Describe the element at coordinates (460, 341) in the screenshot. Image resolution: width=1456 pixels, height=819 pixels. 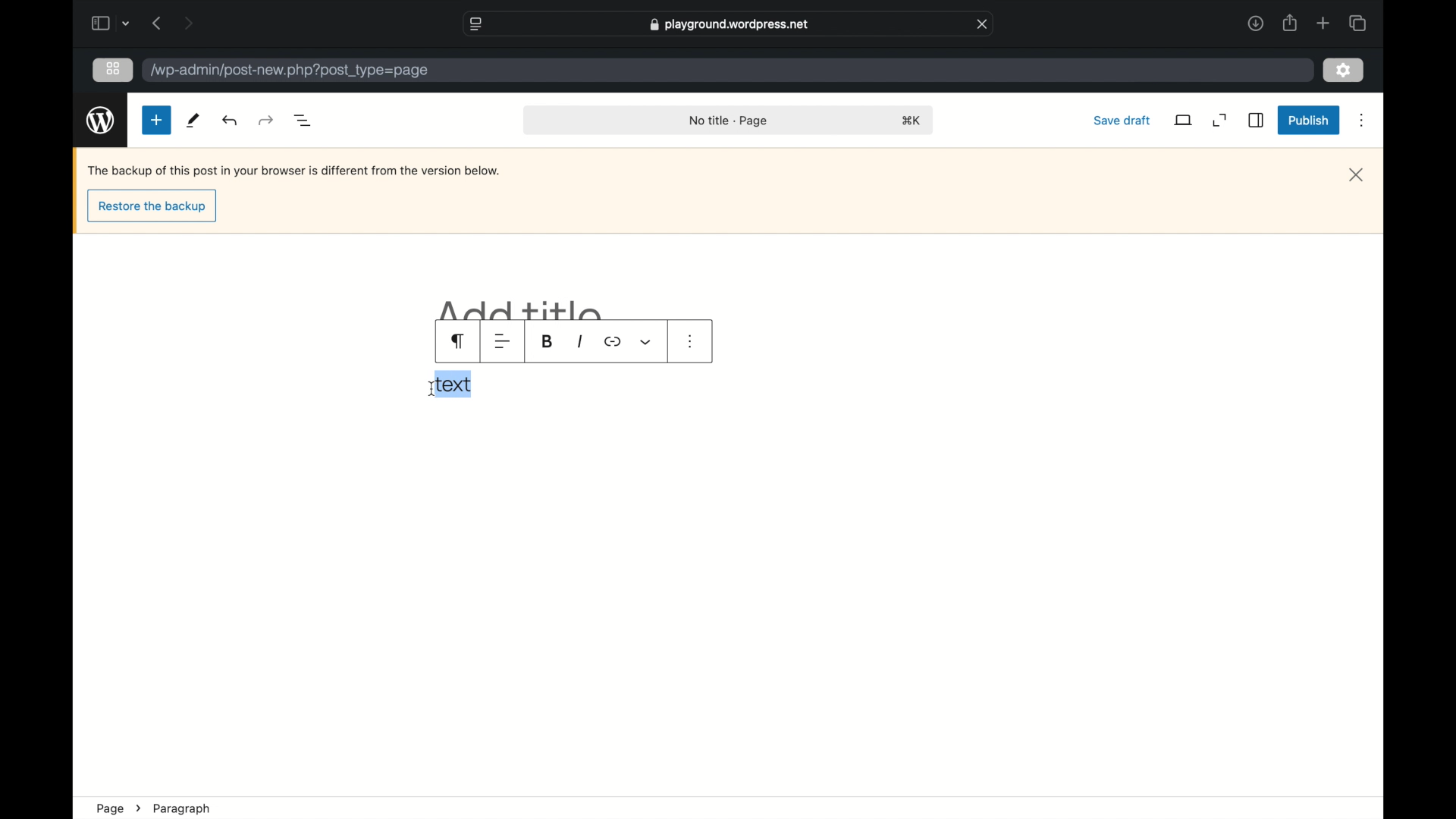
I see `paragraph` at that location.